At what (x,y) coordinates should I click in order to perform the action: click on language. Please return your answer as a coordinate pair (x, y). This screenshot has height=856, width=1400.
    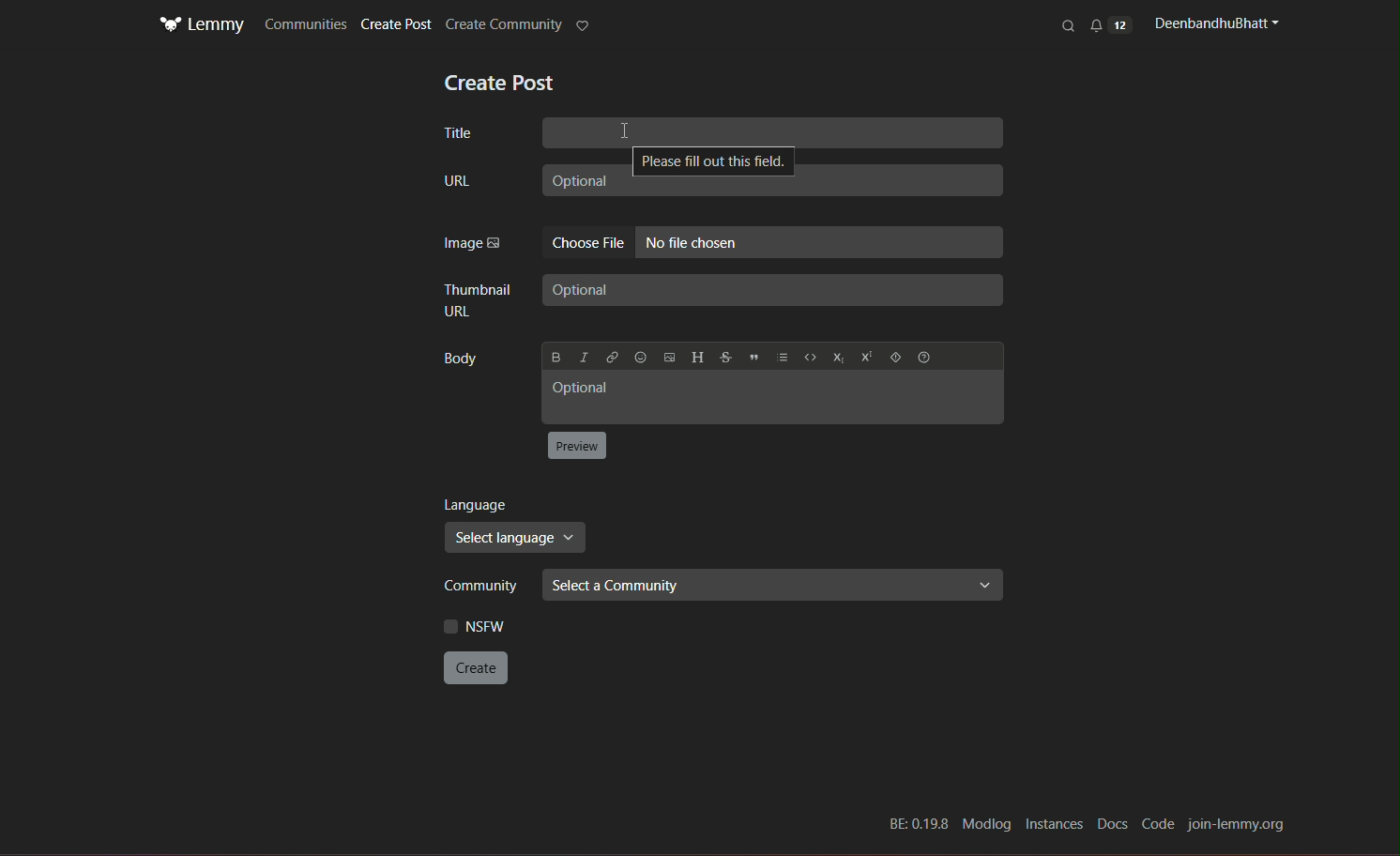
    Looking at the image, I should click on (481, 507).